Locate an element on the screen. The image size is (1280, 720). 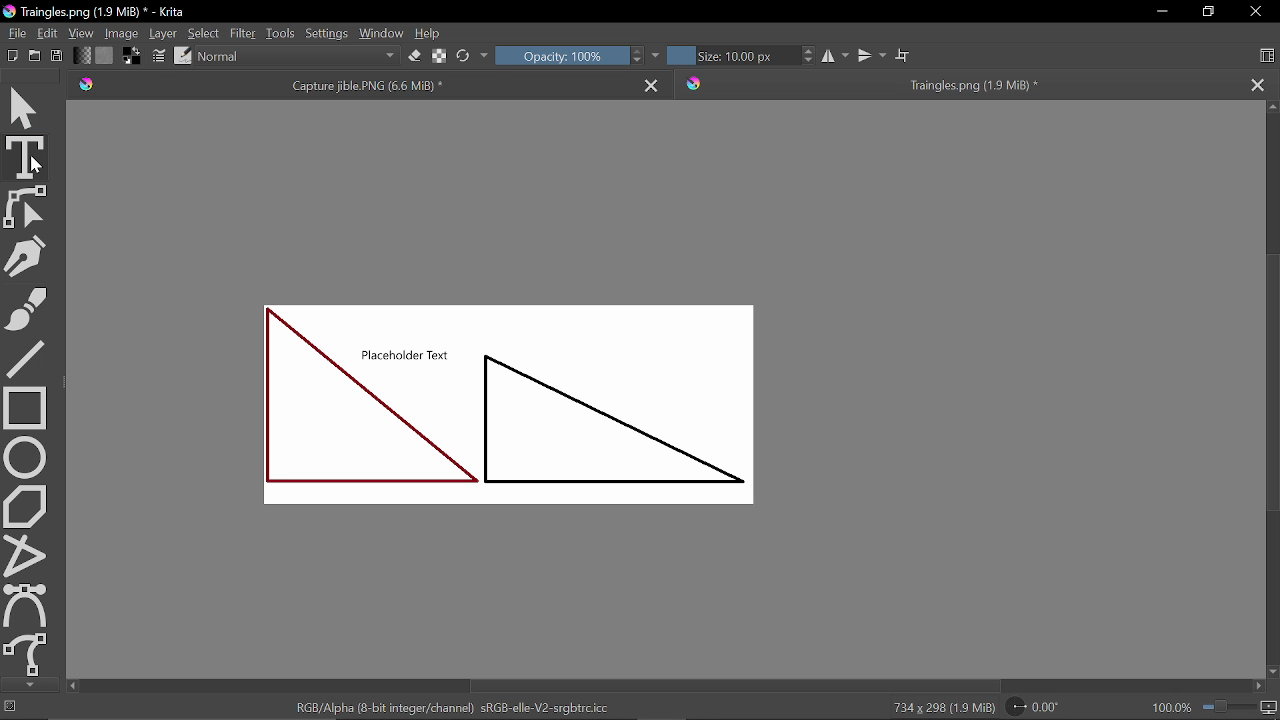
Traingles.png (1.9 MiB) * - Krita is located at coordinates (95, 12).